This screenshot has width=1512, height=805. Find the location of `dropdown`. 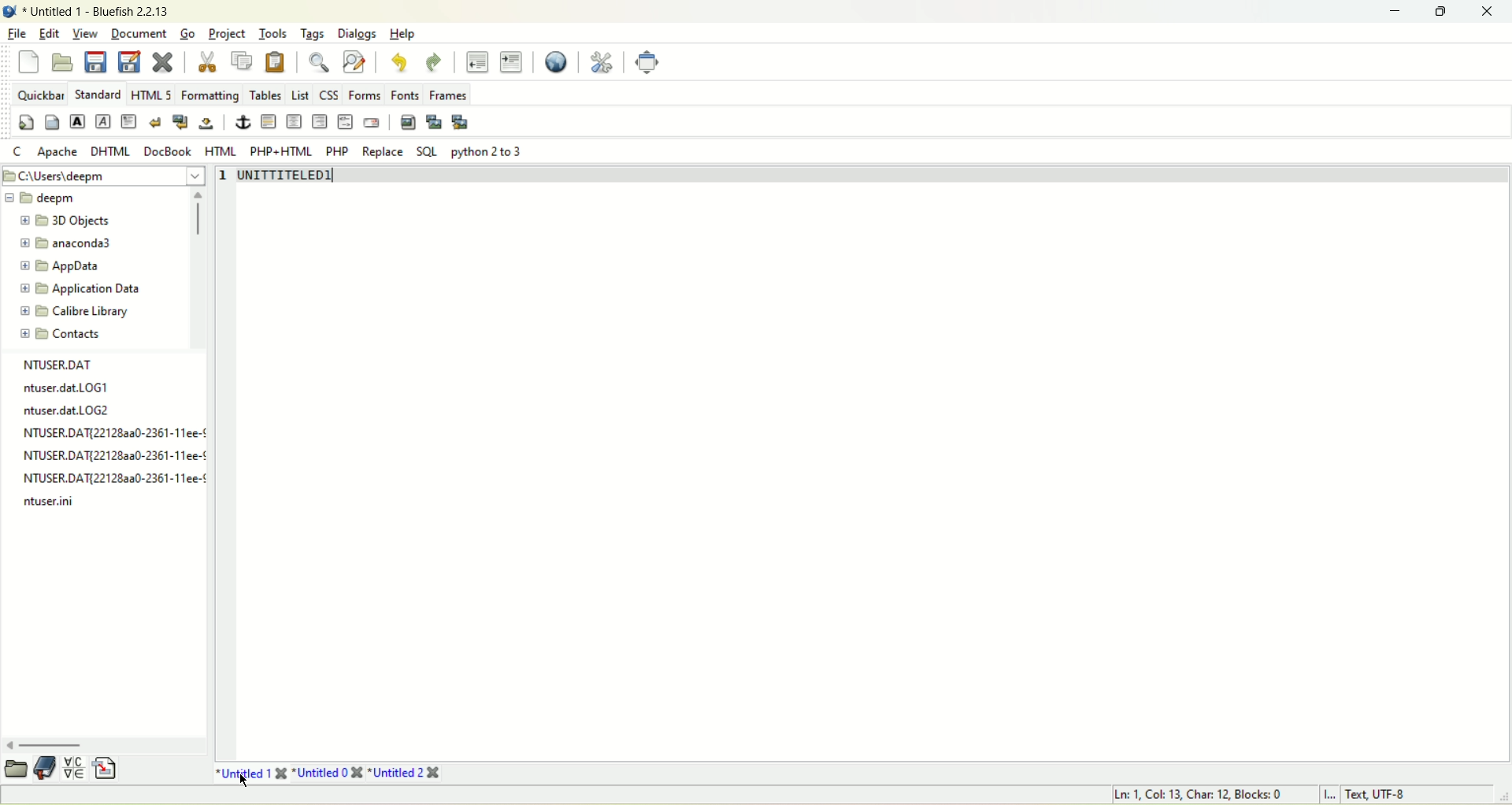

dropdown is located at coordinates (195, 175).